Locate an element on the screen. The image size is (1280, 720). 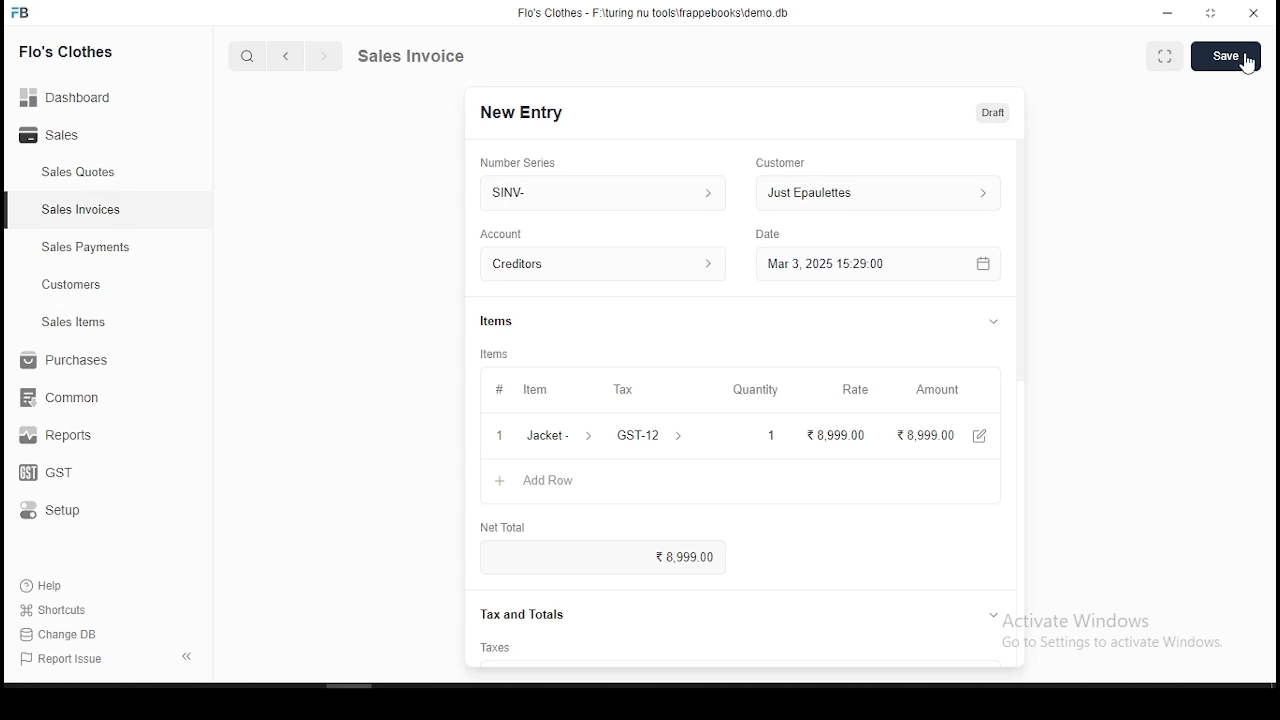
search is located at coordinates (247, 55).